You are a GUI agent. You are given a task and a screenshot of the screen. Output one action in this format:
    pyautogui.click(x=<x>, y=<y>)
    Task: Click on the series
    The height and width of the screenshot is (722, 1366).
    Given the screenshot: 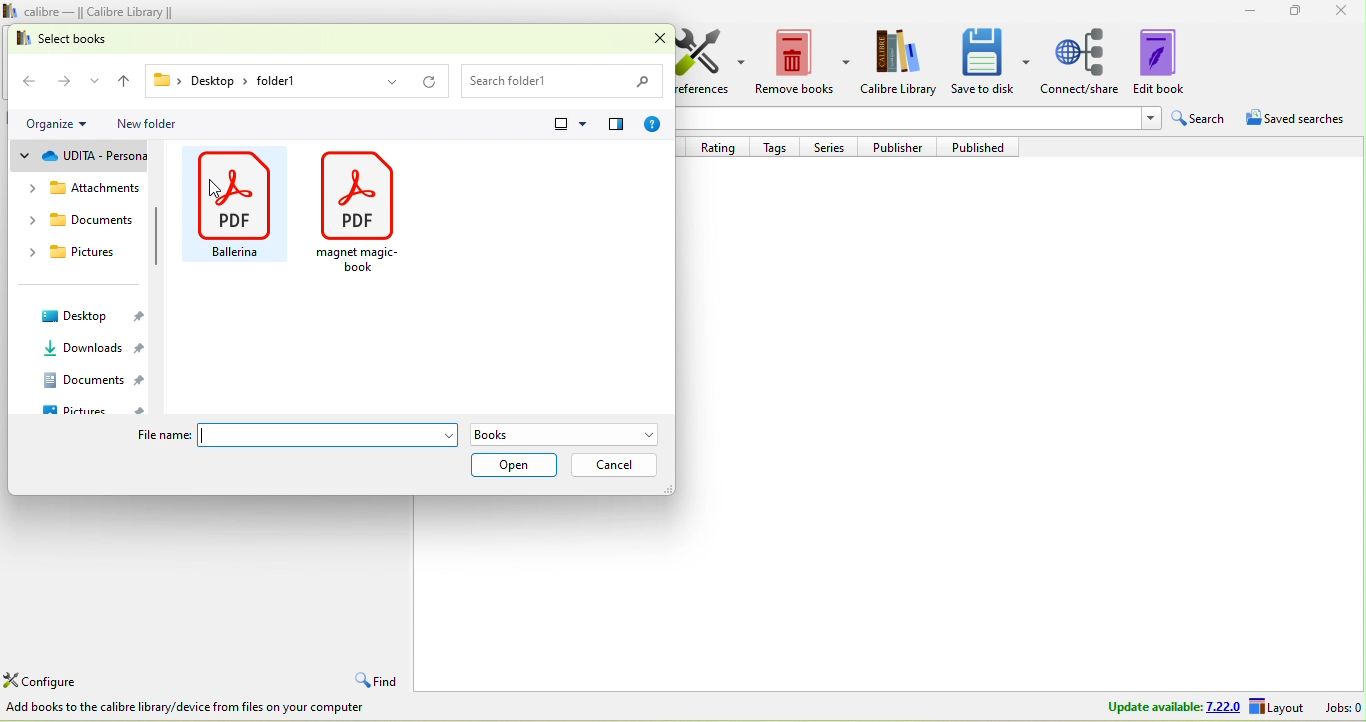 What is the action you would take?
    pyautogui.click(x=834, y=147)
    